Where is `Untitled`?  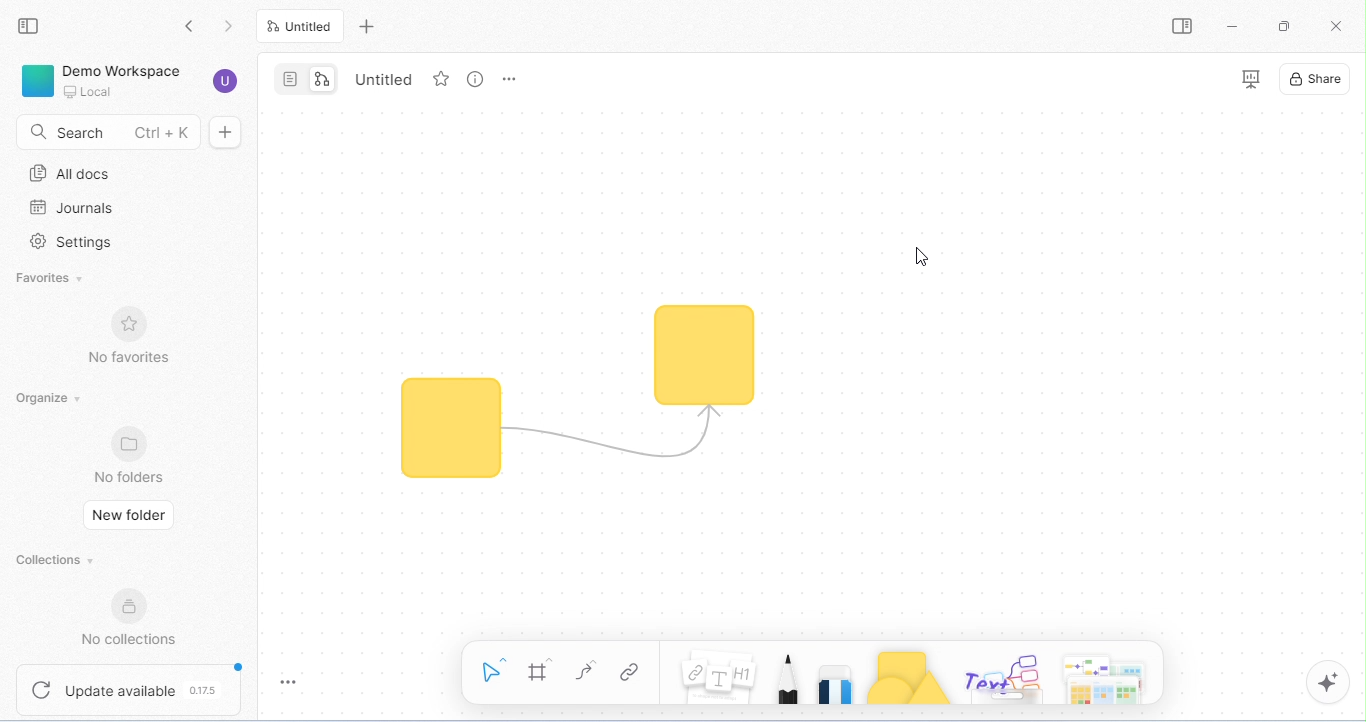 Untitled is located at coordinates (302, 26).